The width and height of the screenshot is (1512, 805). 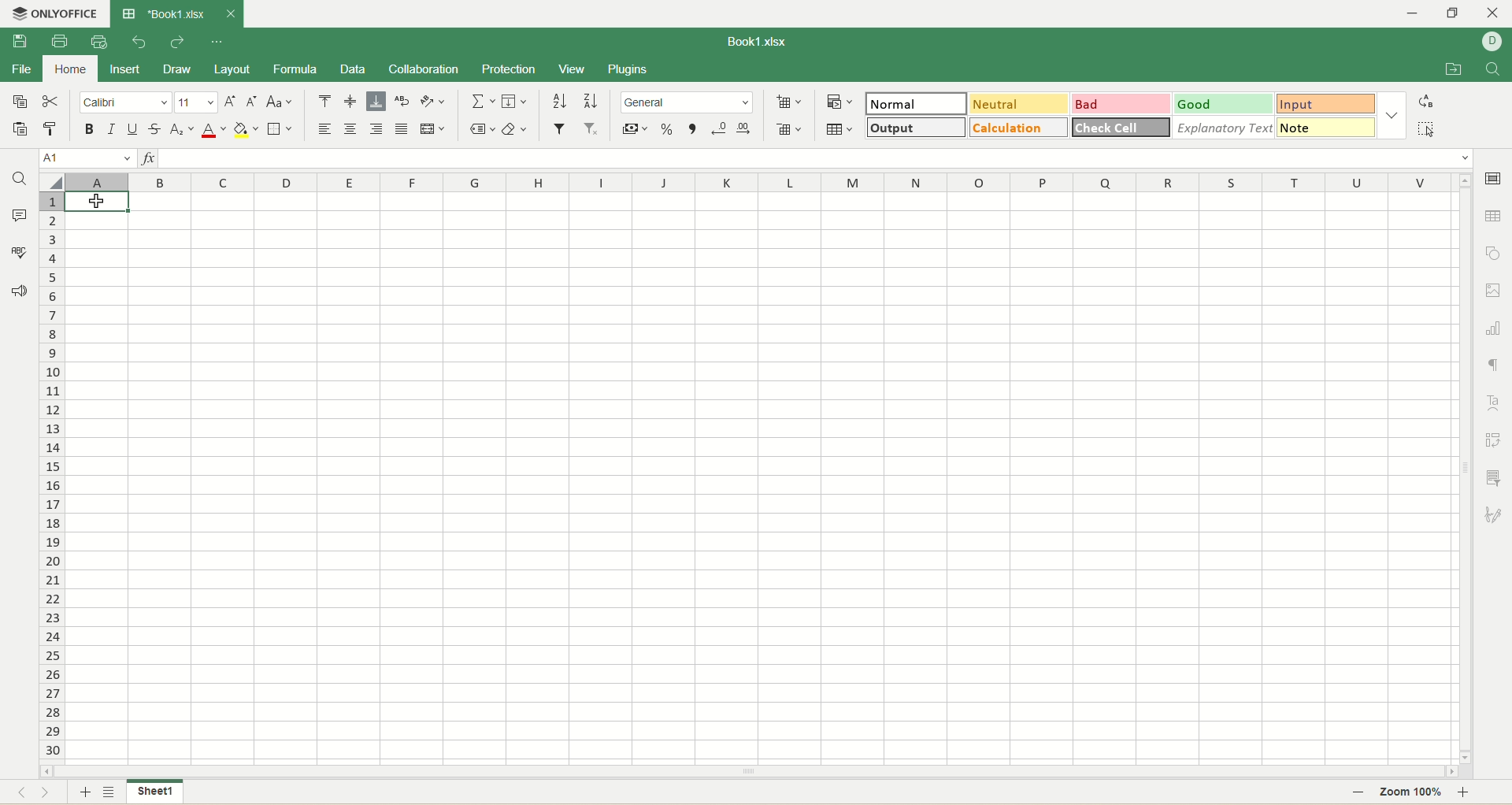 I want to click on merge and center, so click(x=432, y=129).